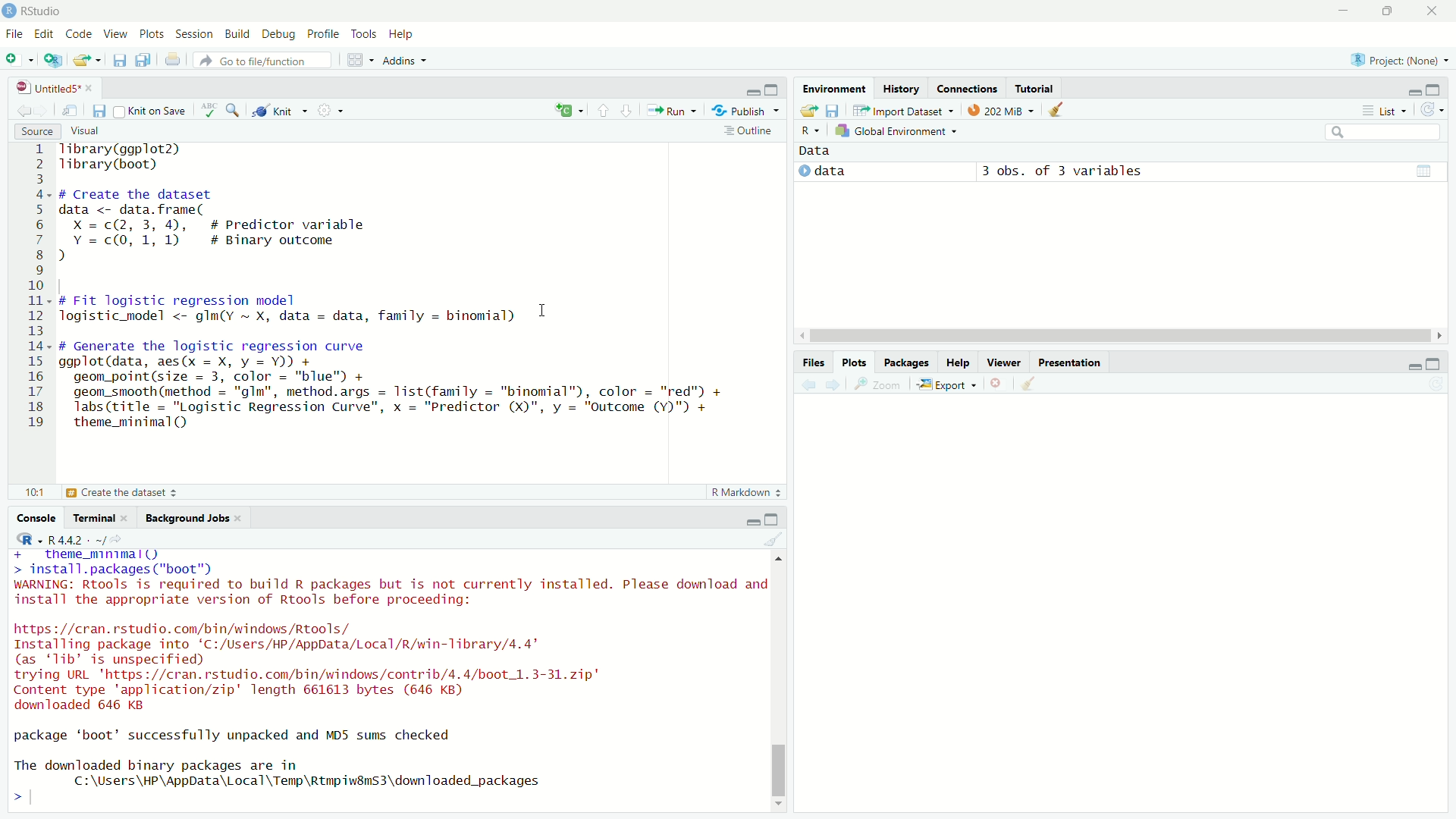  I want to click on Save workspace as, so click(833, 111).